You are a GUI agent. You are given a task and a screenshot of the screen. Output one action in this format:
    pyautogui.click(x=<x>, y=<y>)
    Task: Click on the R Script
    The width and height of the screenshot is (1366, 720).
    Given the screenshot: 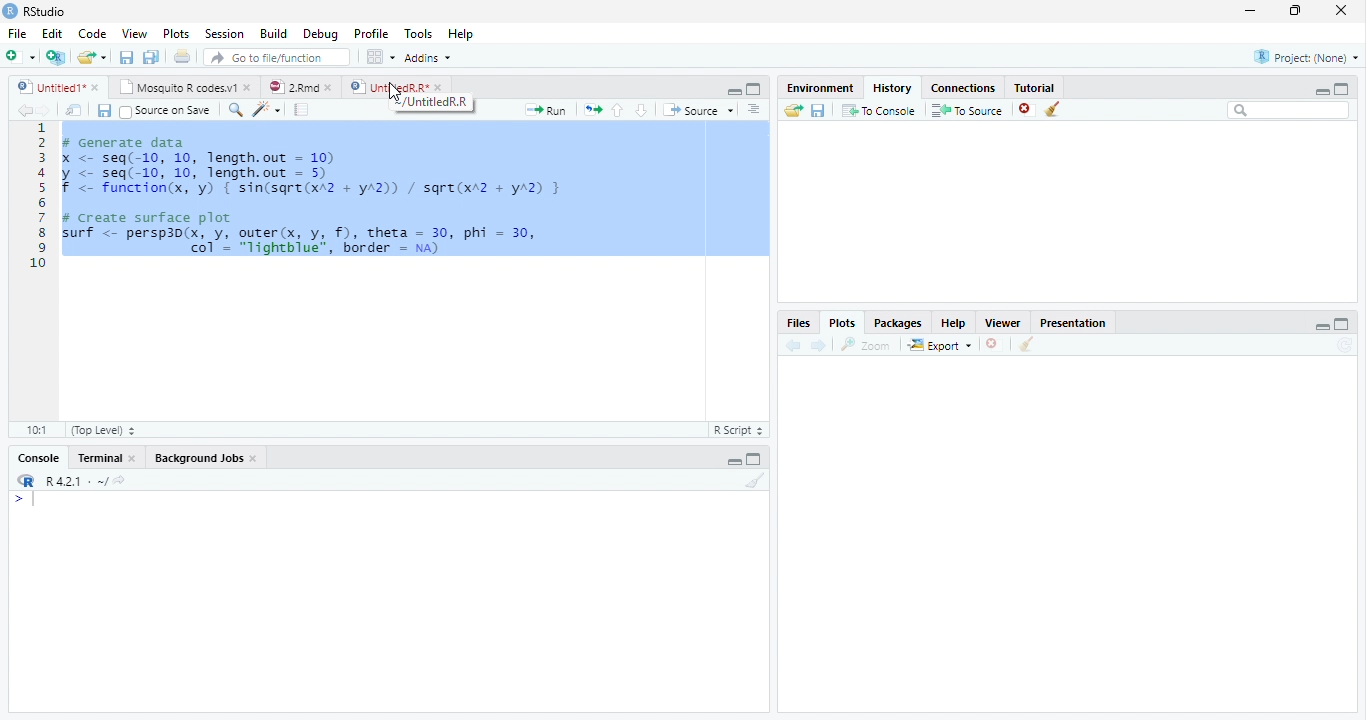 What is the action you would take?
    pyautogui.click(x=741, y=430)
    